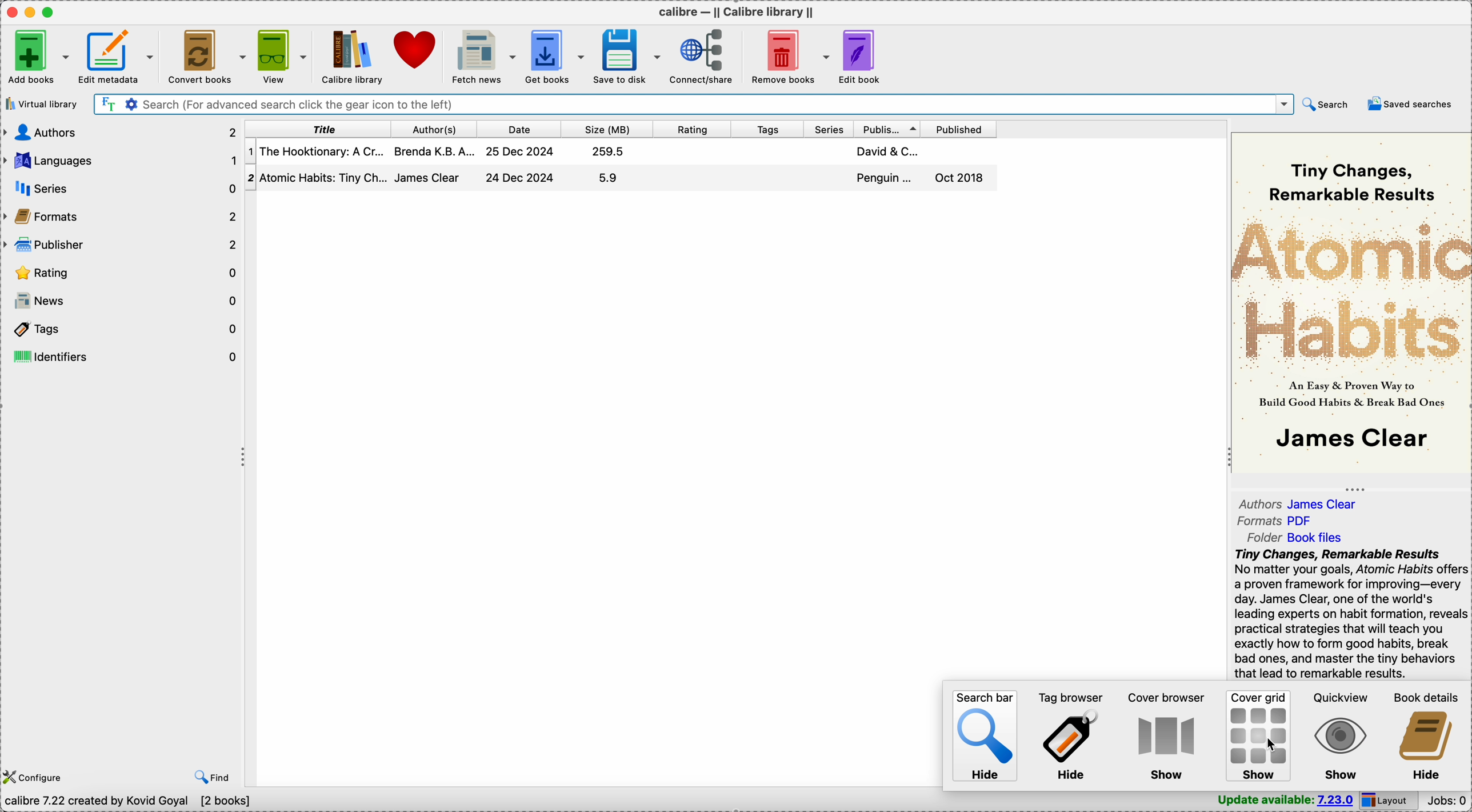 This screenshot has width=1472, height=812. Describe the element at coordinates (706, 103) in the screenshot. I see `search (for advanced search click the gear icon to the left)` at that location.